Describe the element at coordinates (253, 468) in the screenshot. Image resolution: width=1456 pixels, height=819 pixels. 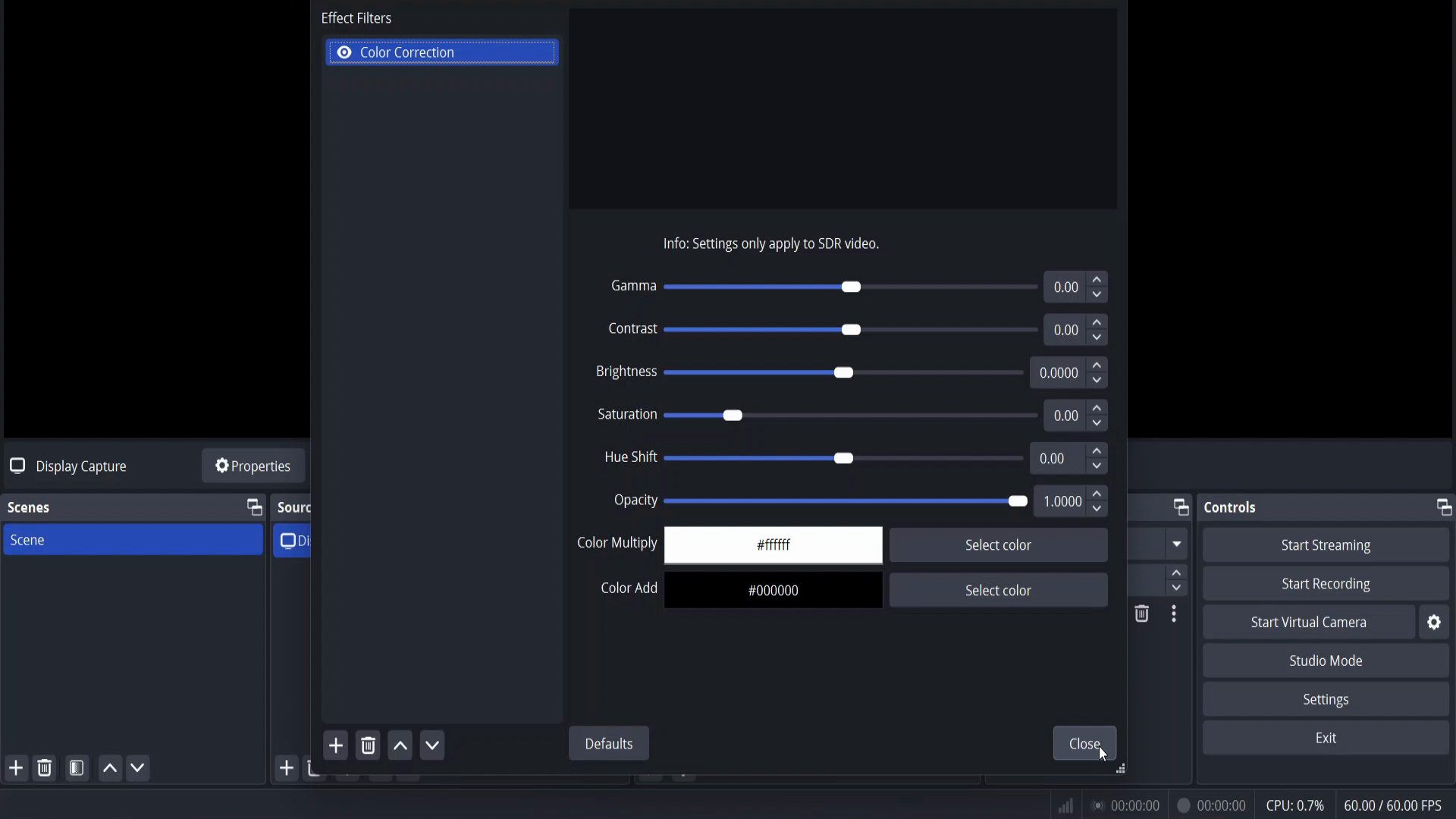
I see `source properties` at that location.